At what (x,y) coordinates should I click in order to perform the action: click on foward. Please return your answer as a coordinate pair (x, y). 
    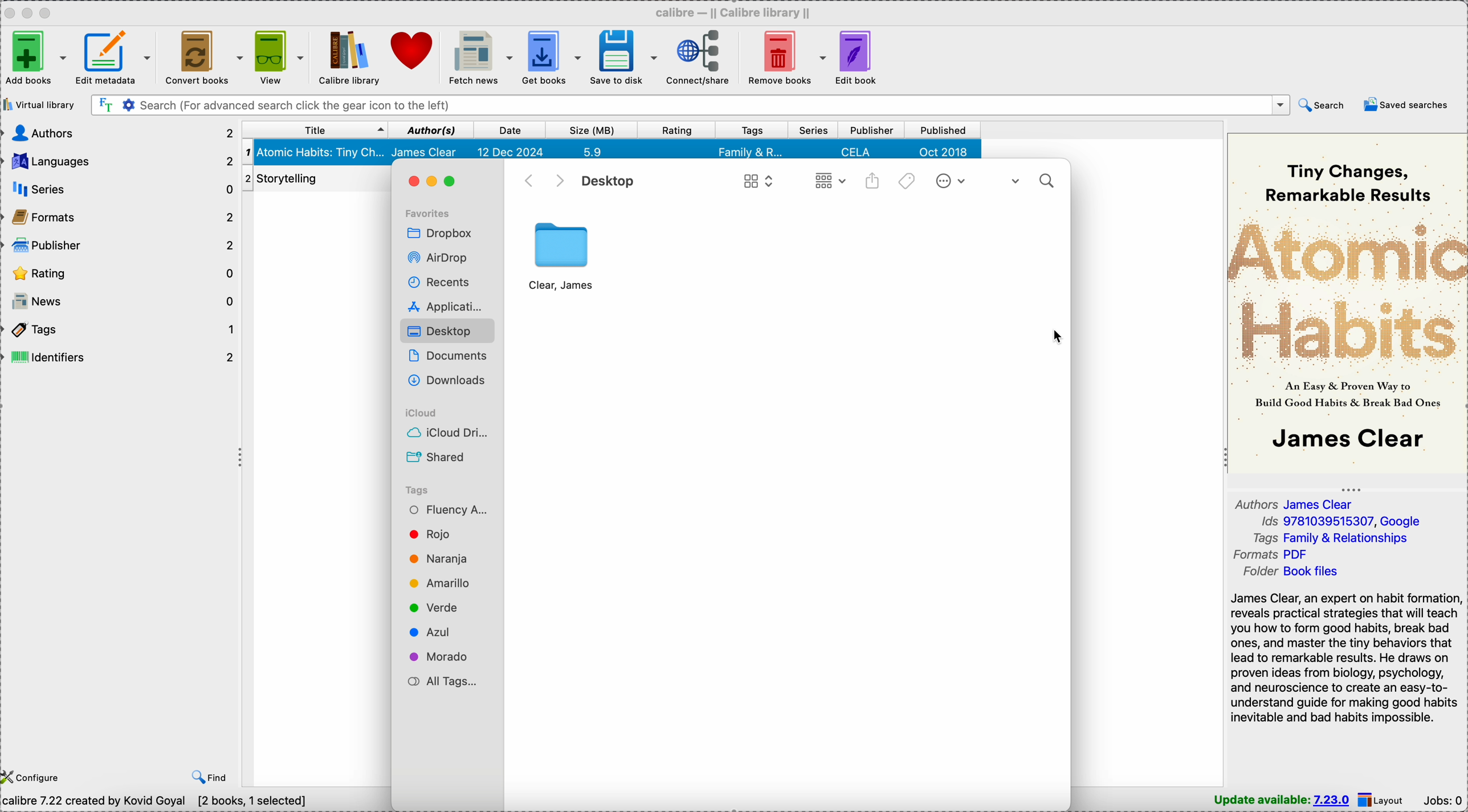
    Looking at the image, I should click on (560, 182).